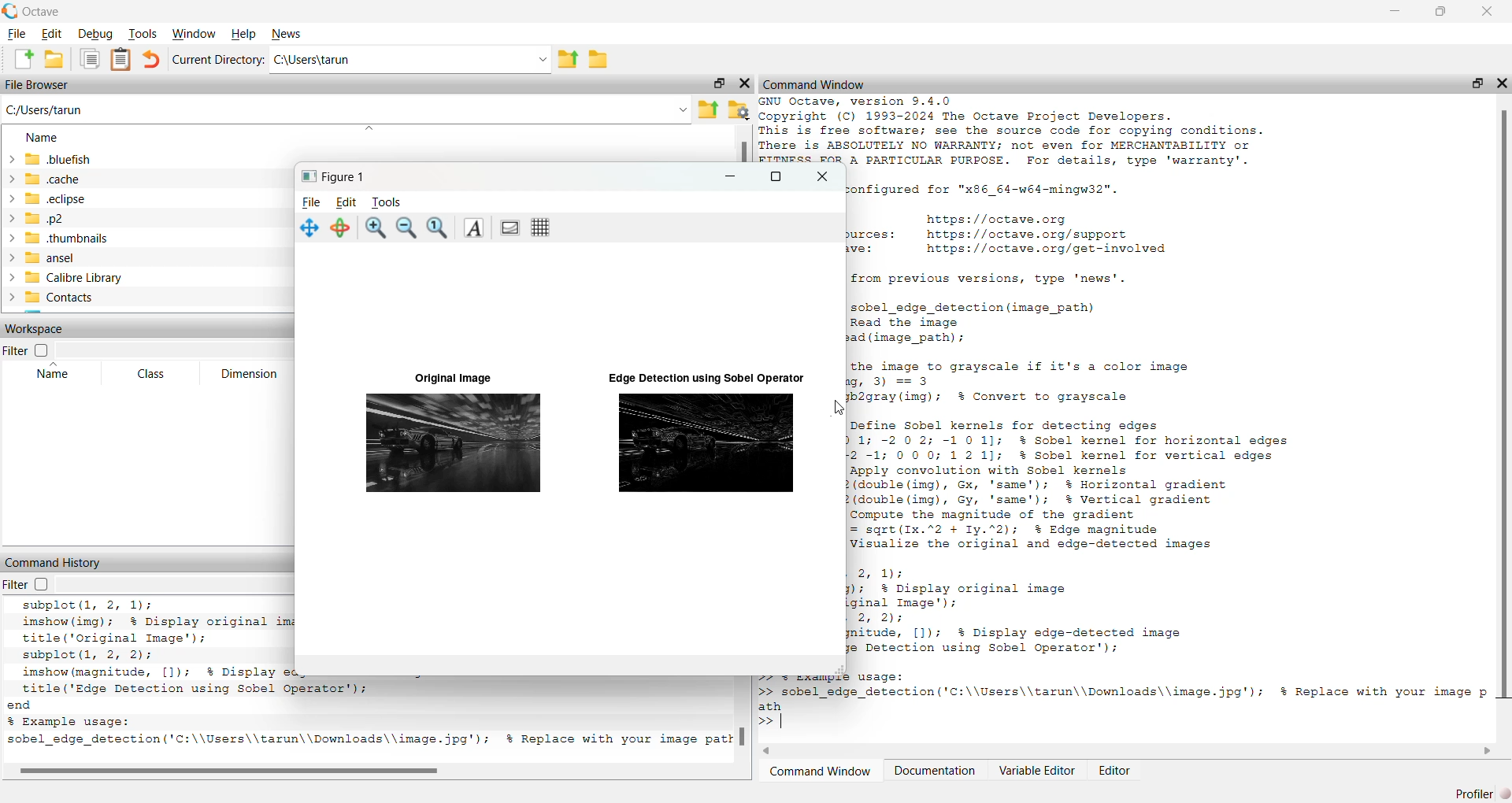  I want to click on Original Image, so click(443, 376).